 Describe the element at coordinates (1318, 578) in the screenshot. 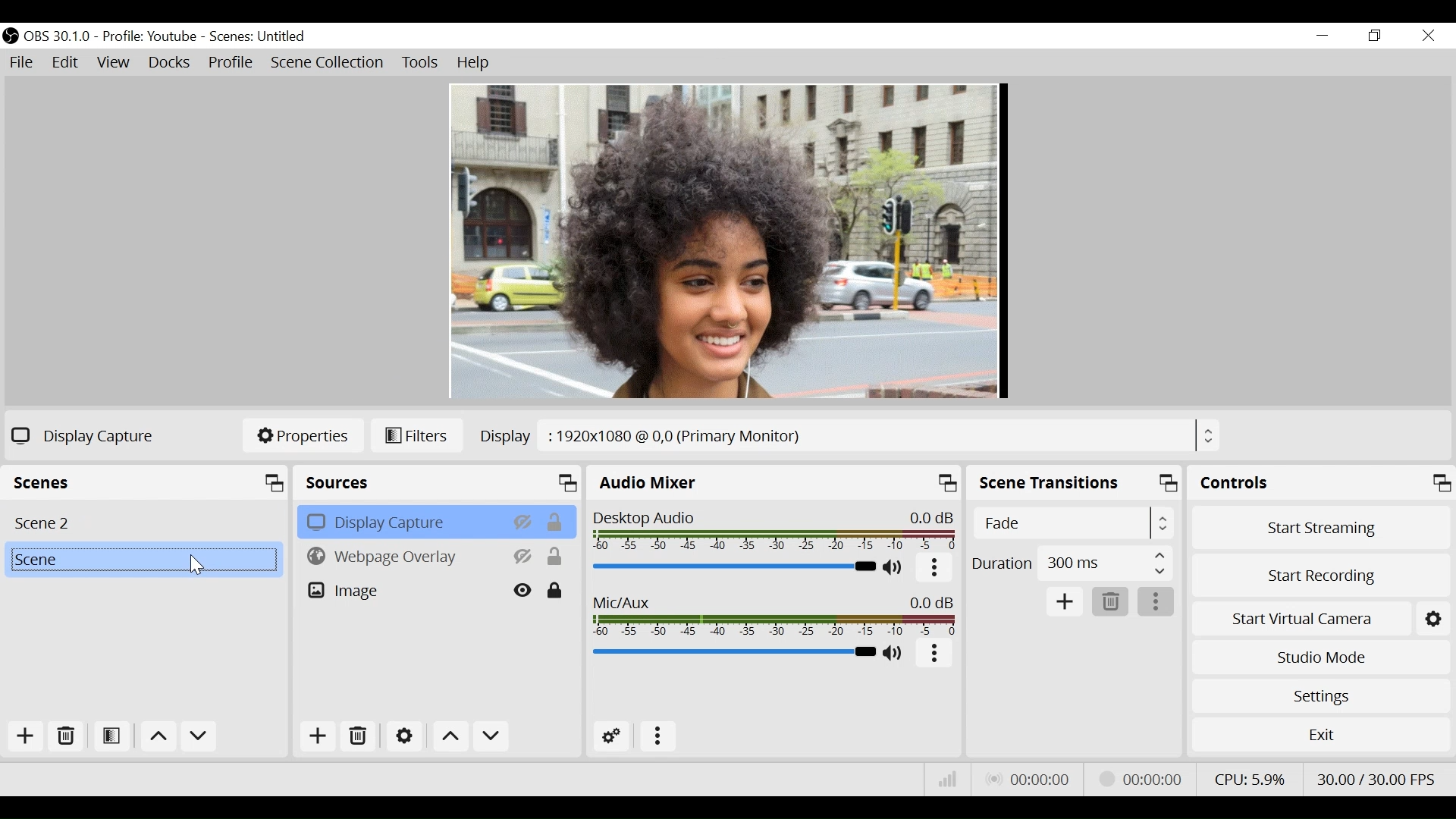

I see `Start Recording` at that location.